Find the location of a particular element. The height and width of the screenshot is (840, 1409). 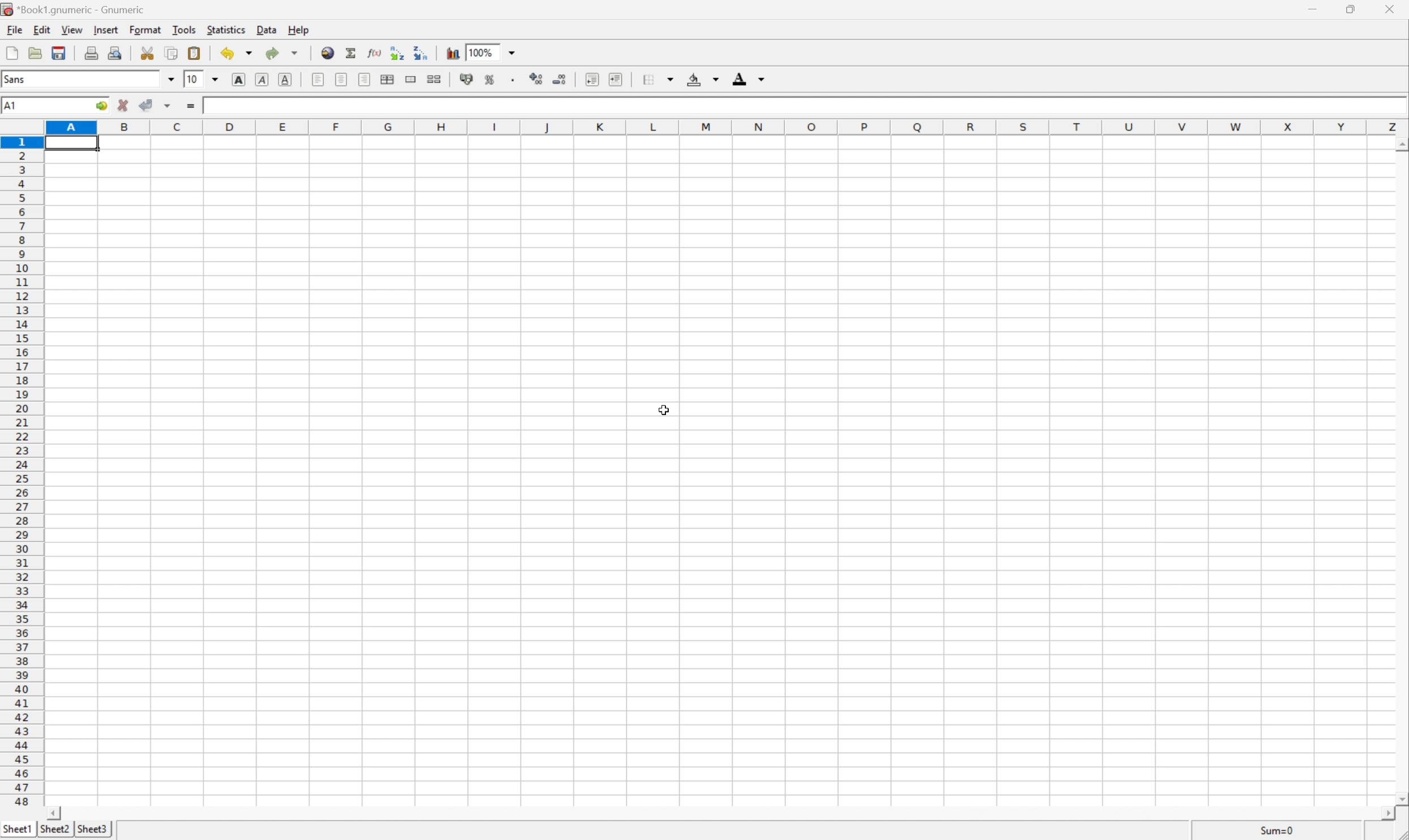

Insert is located at coordinates (108, 28).